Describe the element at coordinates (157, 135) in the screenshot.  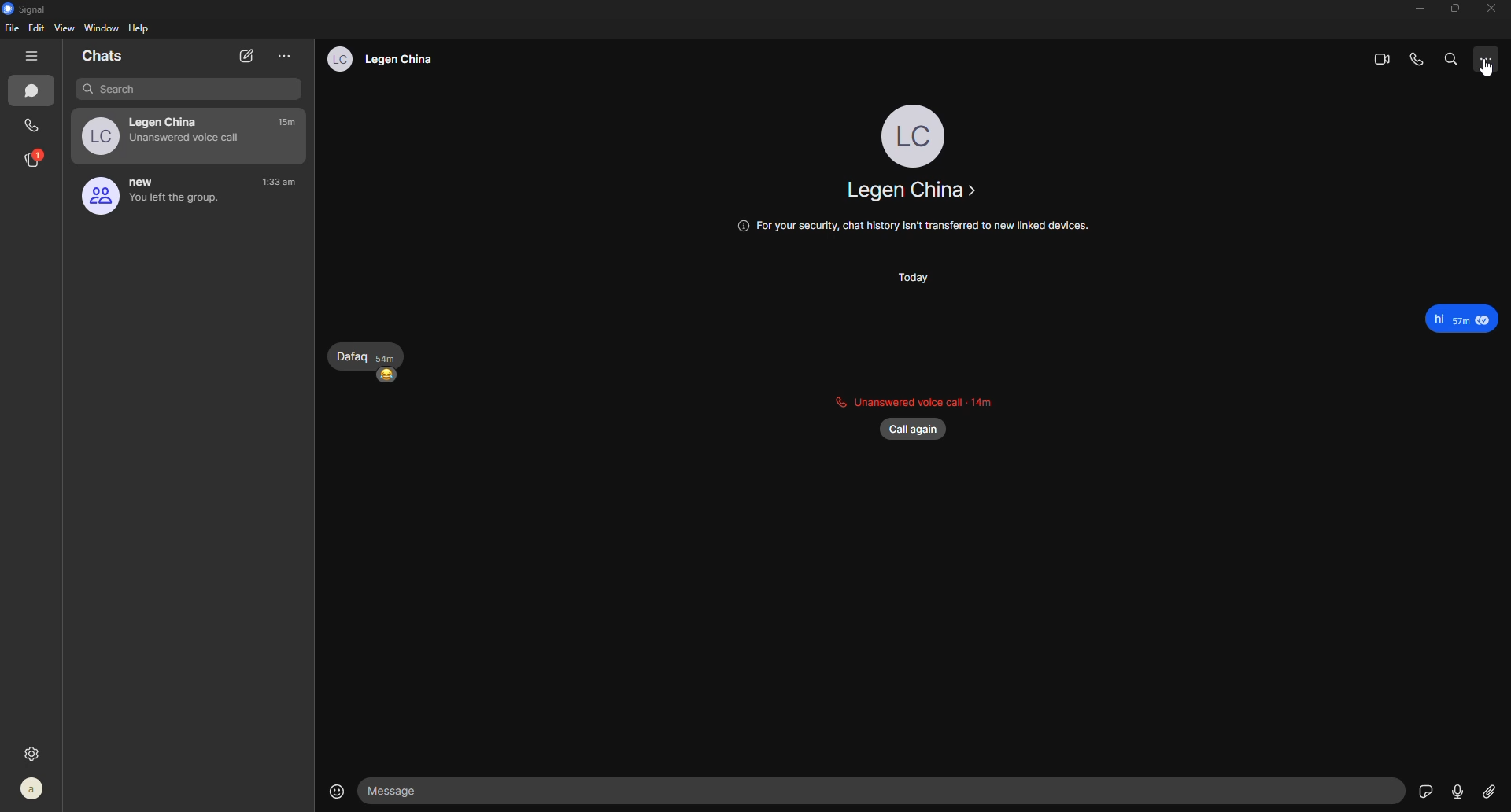
I see `Legen China
Unanswered voice call` at that location.